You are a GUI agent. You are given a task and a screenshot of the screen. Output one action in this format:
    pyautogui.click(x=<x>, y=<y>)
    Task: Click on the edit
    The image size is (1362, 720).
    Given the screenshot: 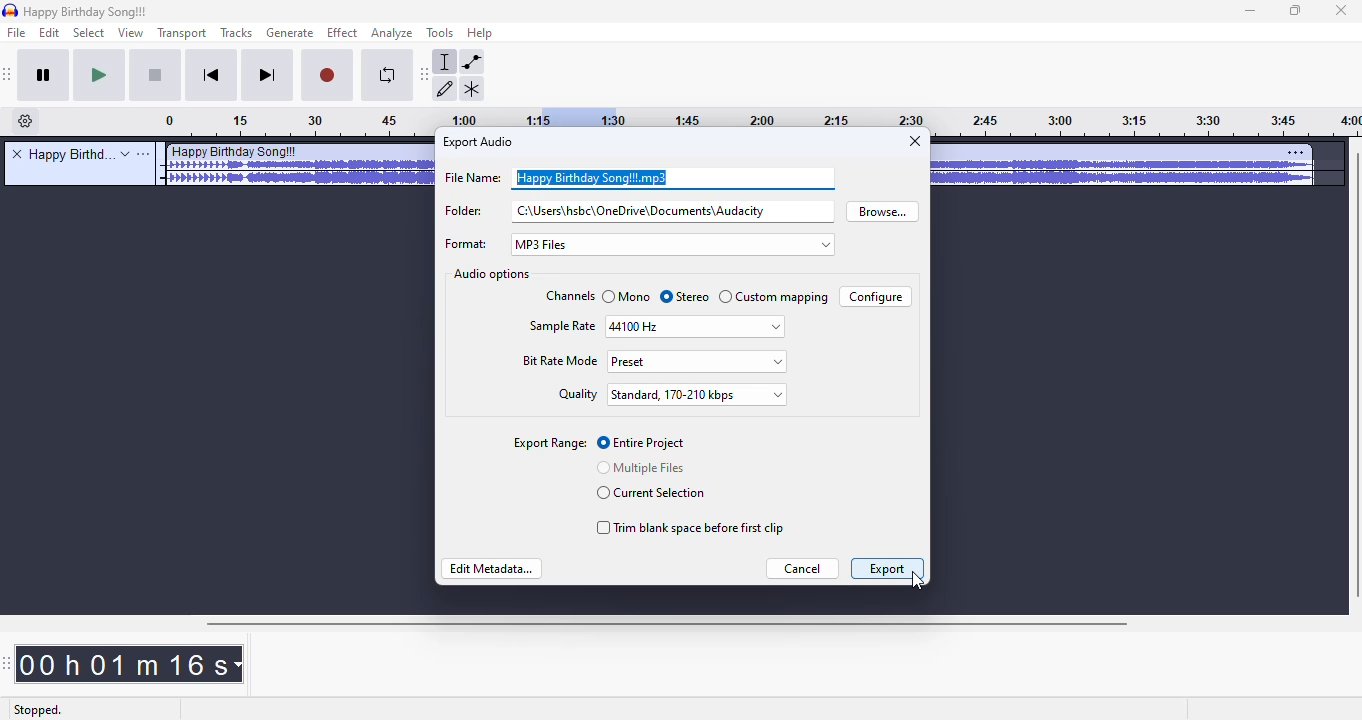 What is the action you would take?
    pyautogui.click(x=52, y=33)
    